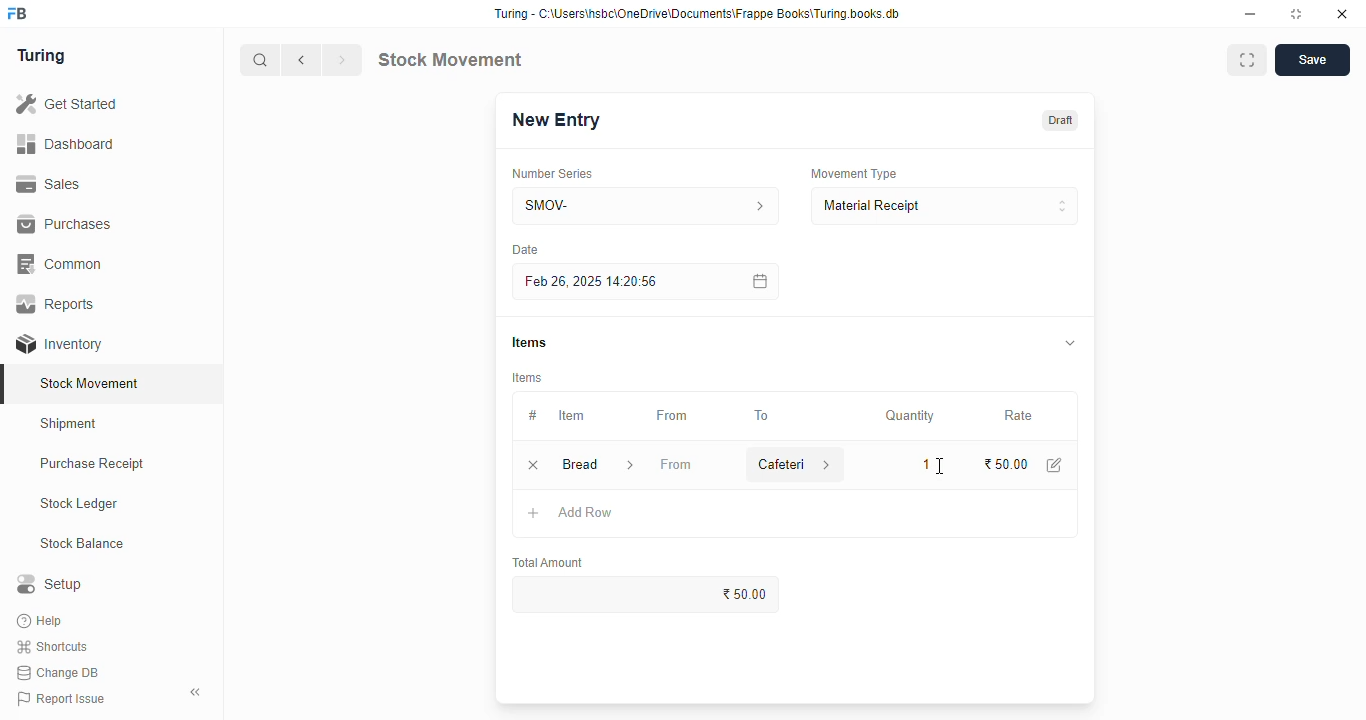  What do you see at coordinates (302, 60) in the screenshot?
I see `previous` at bounding box center [302, 60].